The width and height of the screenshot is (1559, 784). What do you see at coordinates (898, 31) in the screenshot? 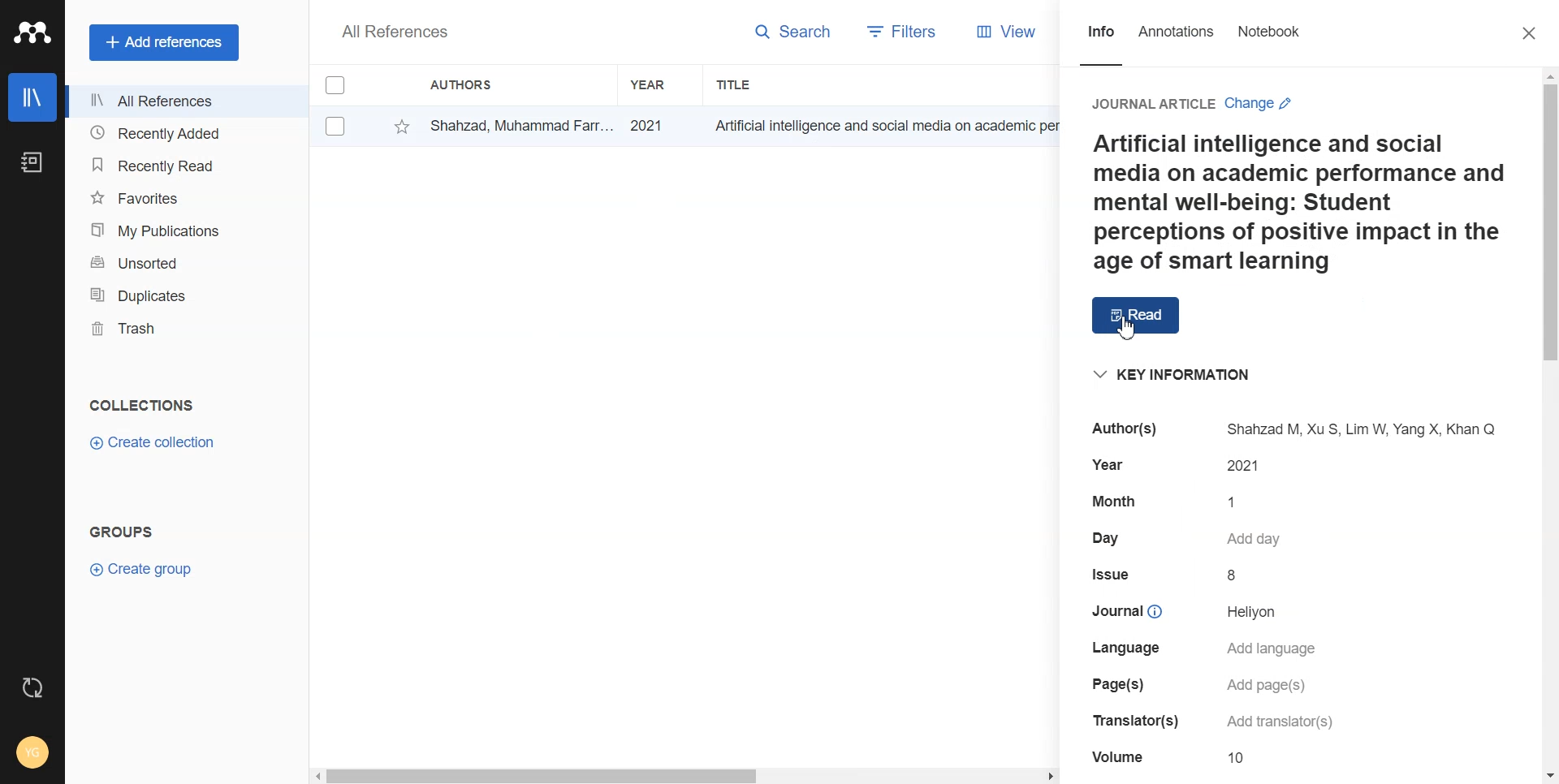
I see `Filters` at bounding box center [898, 31].